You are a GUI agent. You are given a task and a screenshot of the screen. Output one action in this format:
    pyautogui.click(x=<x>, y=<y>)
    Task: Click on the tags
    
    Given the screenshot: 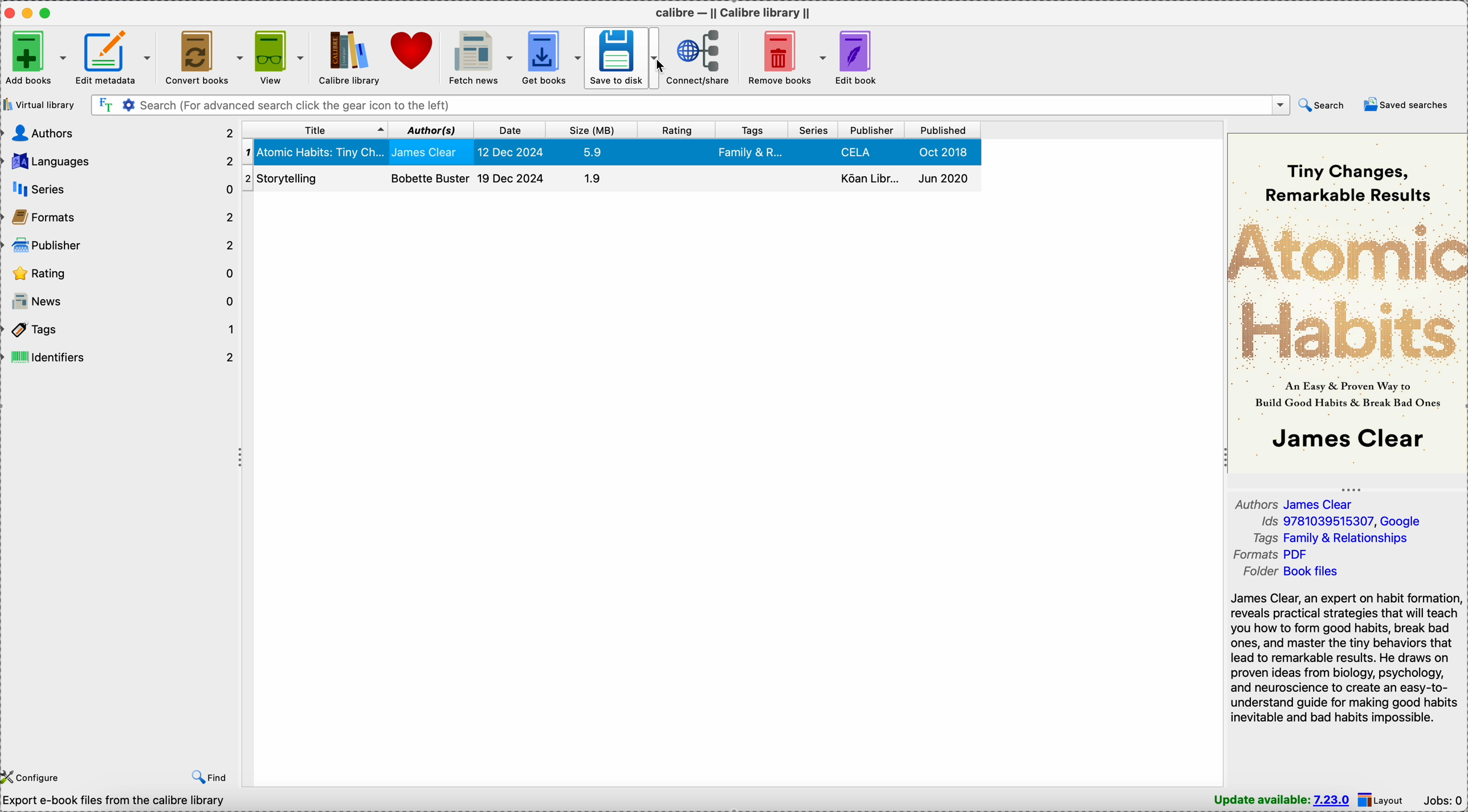 What is the action you would take?
    pyautogui.click(x=753, y=129)
    